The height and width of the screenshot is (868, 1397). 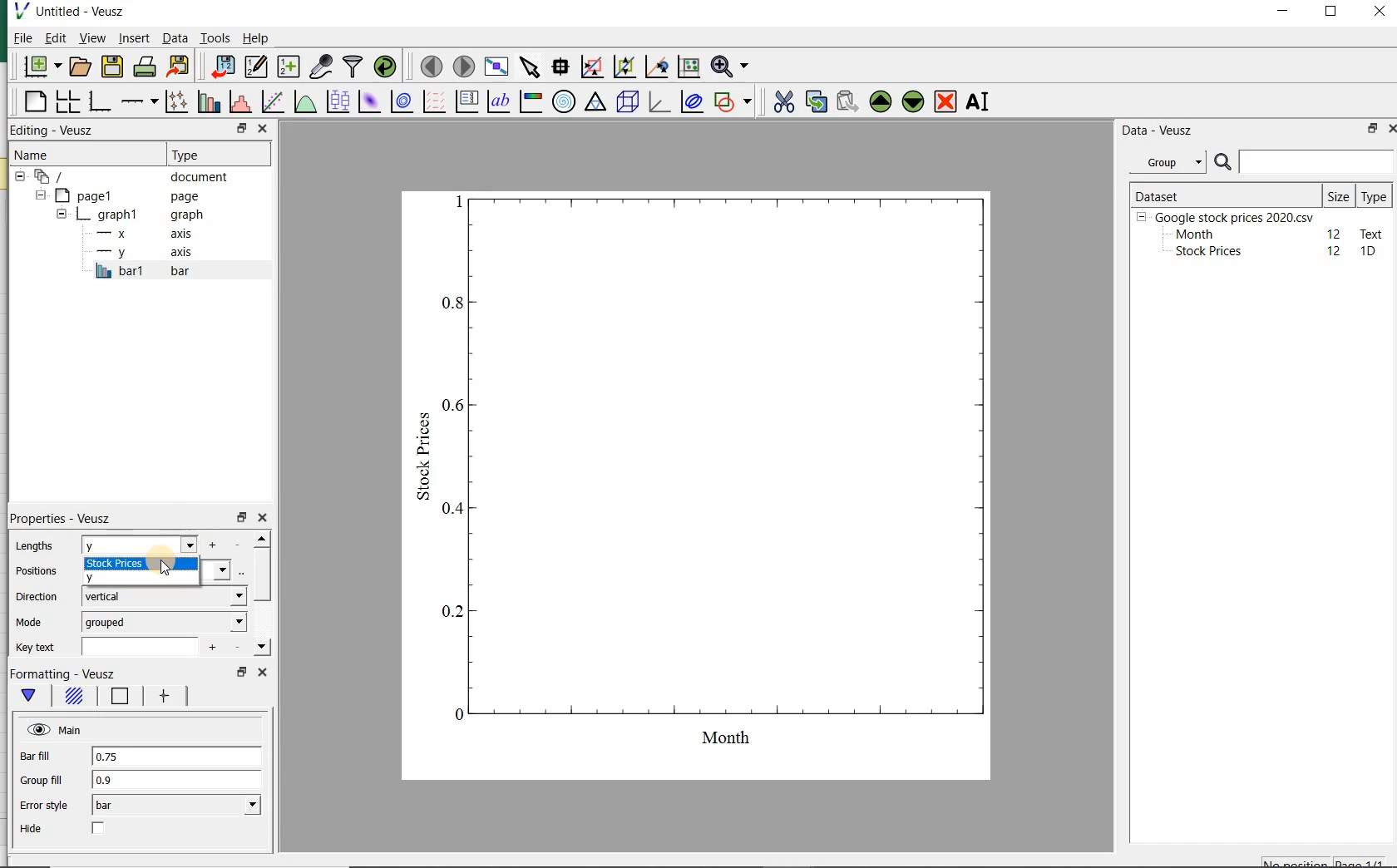 I want to click on restore, so click(x=242, y=129).